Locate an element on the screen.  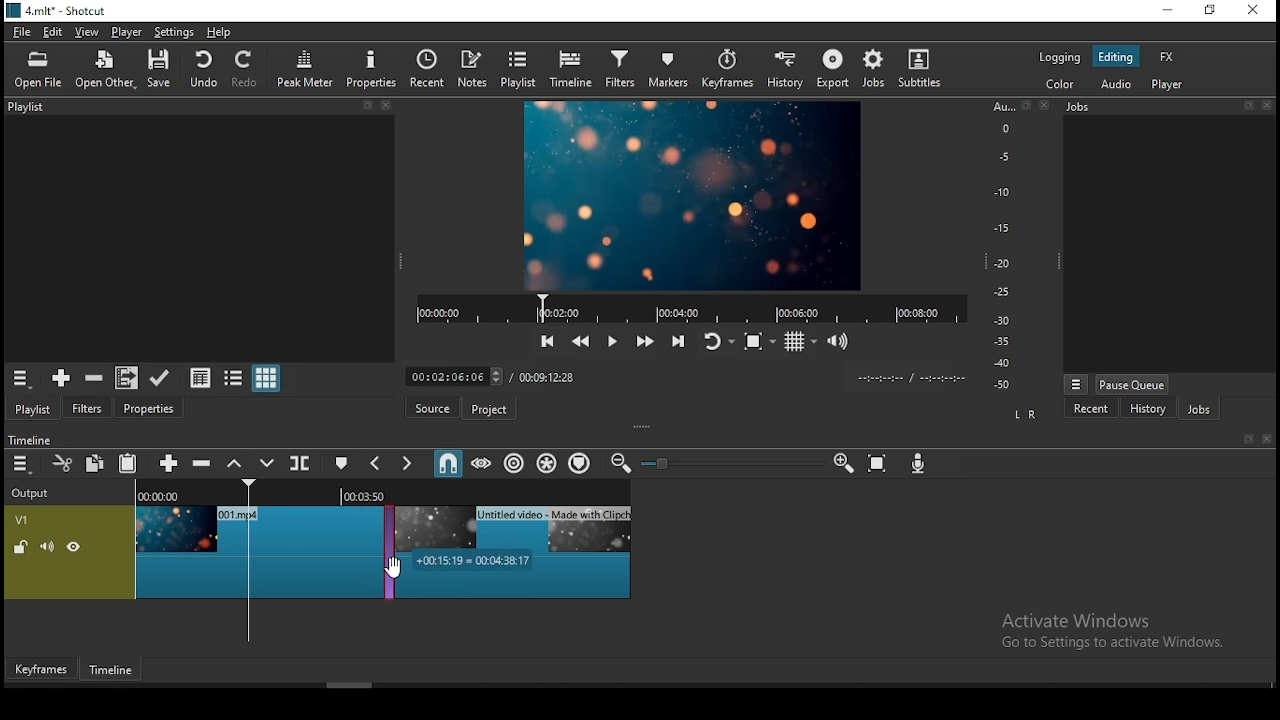
zoom in or zoom out slider is located at coordinates (725, 463).